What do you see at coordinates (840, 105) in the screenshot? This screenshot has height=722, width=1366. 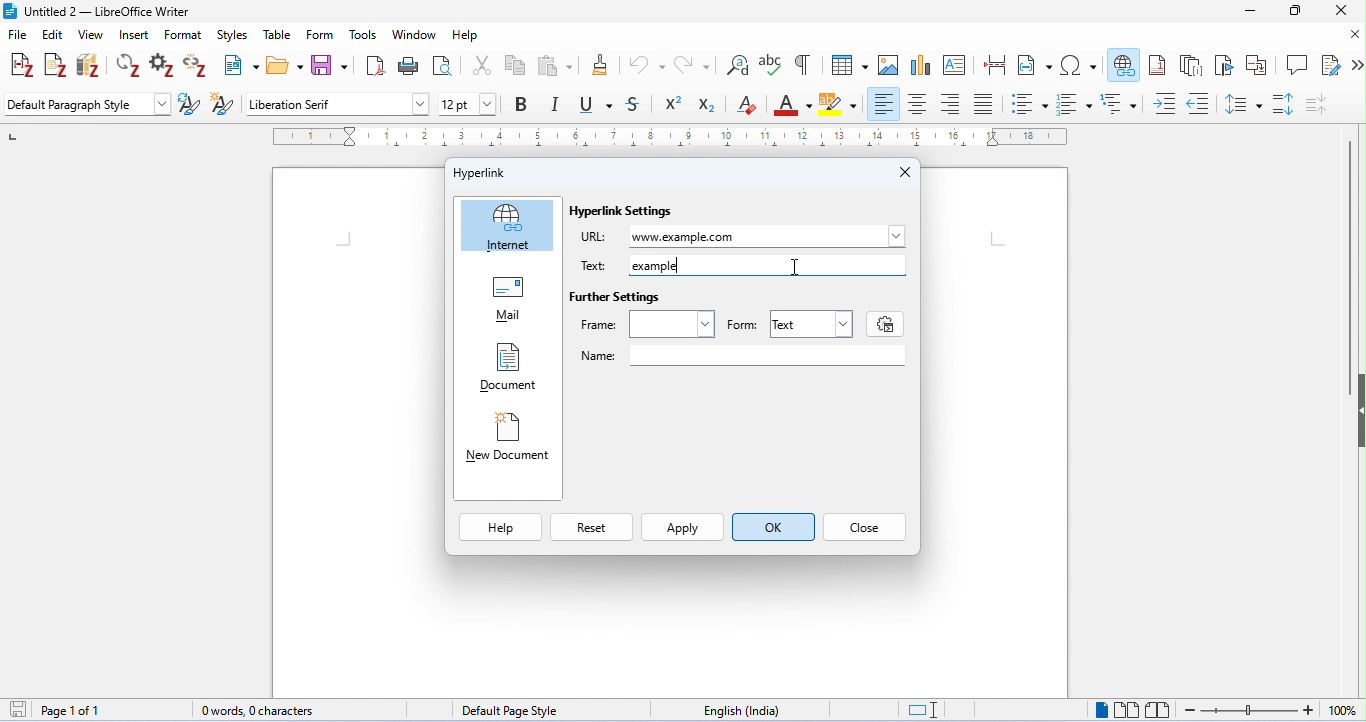 I see `background color` at bounding box center [840, 105].